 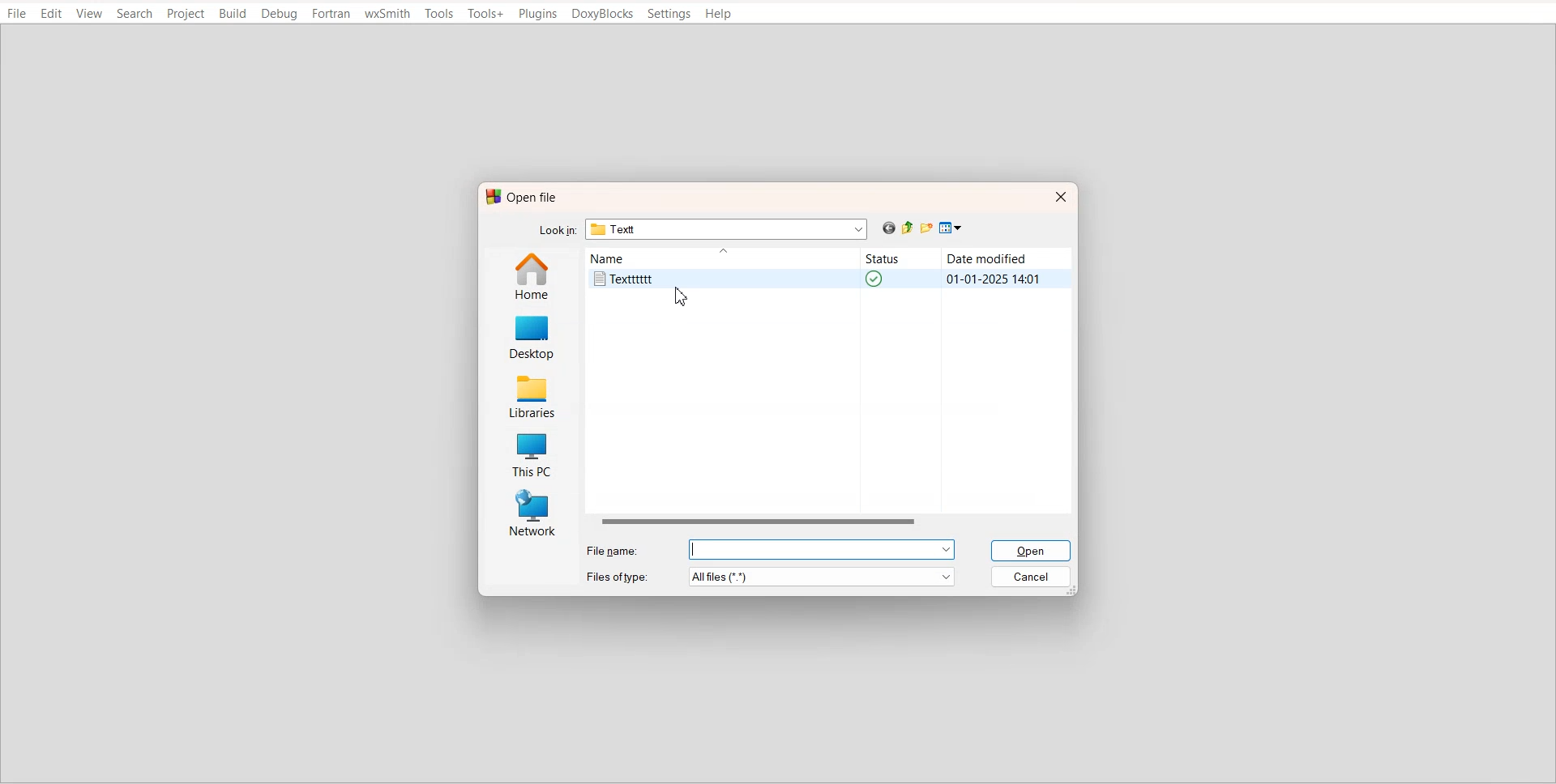 I want to click on Libraries, so click(x=535, y=394).